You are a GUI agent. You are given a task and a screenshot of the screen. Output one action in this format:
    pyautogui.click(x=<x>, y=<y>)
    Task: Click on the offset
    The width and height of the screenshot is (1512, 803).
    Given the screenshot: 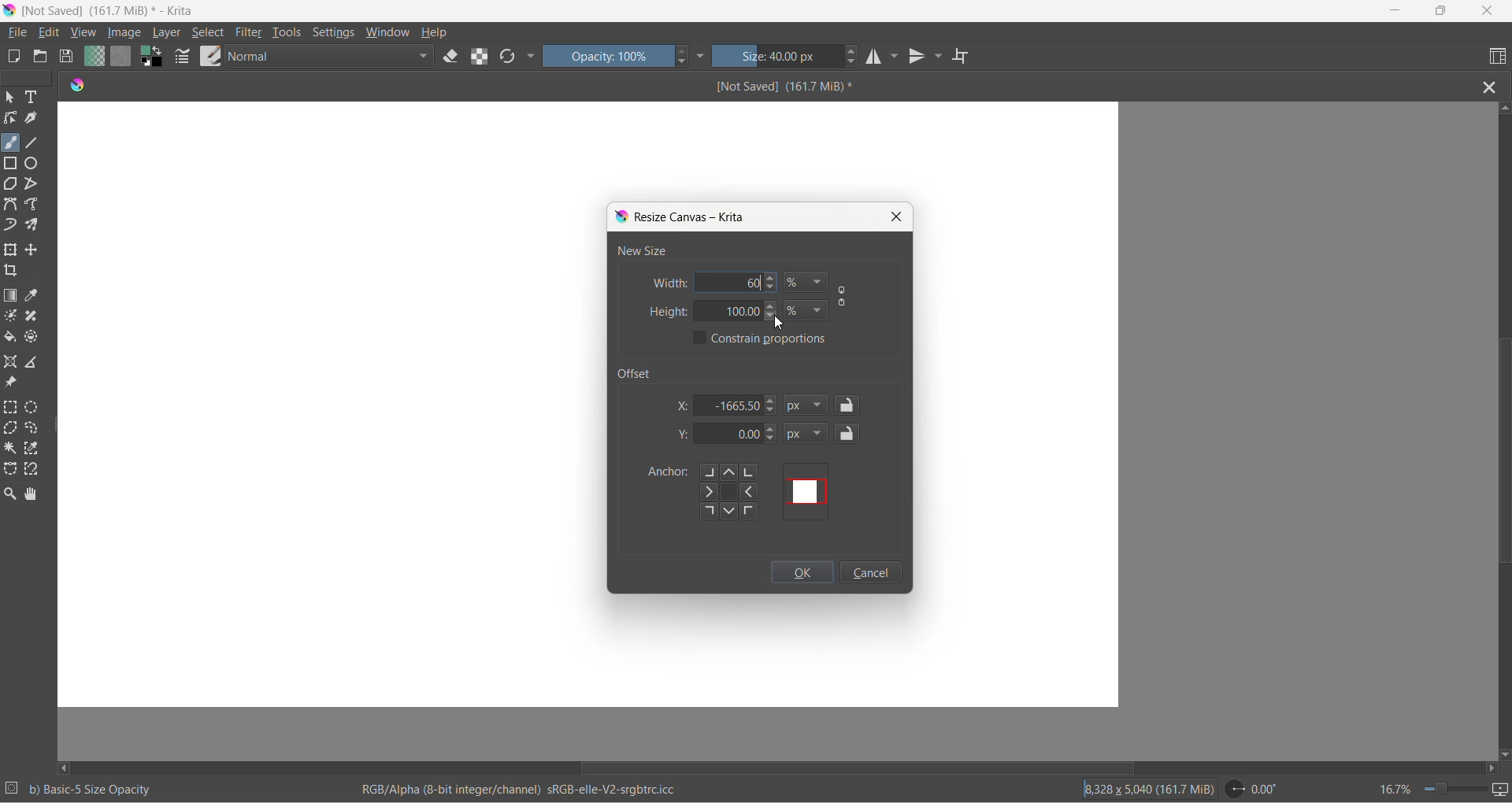 What is the action you would take?
    pyautogui.click(x=640, y=372)
    